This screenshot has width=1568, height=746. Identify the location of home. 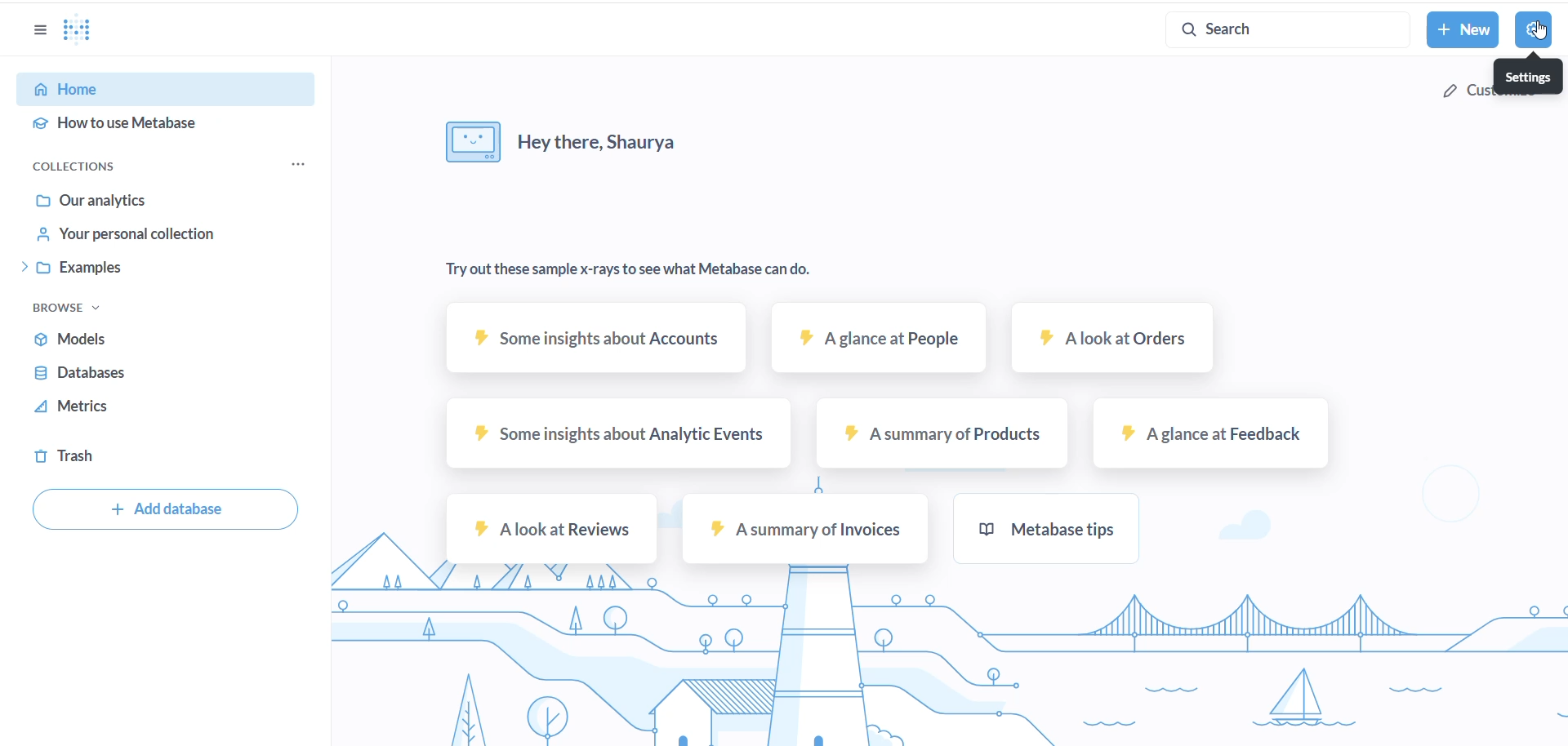
(165, 87).